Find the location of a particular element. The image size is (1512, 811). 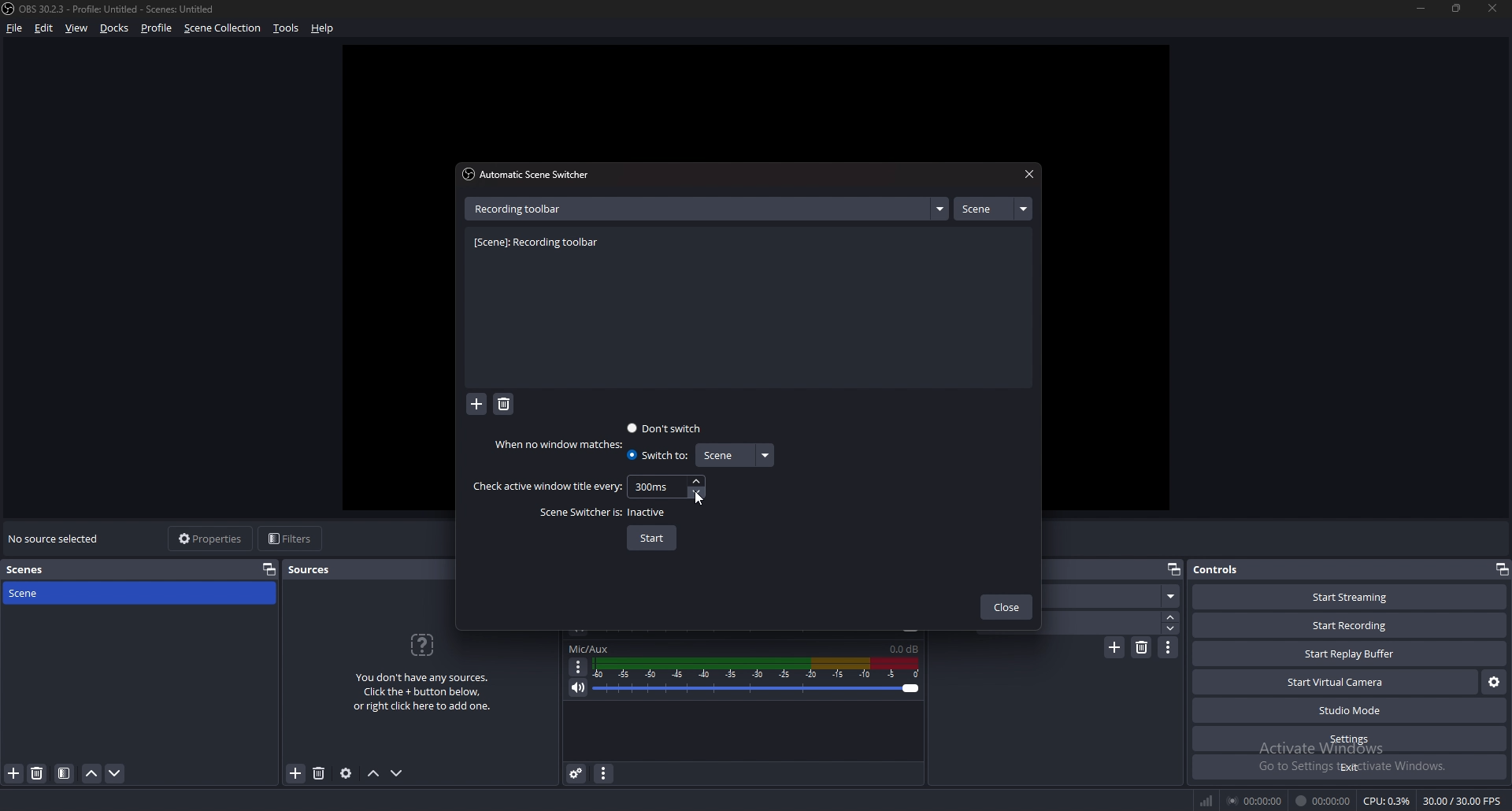

remove is located at coordinates (504, 405).